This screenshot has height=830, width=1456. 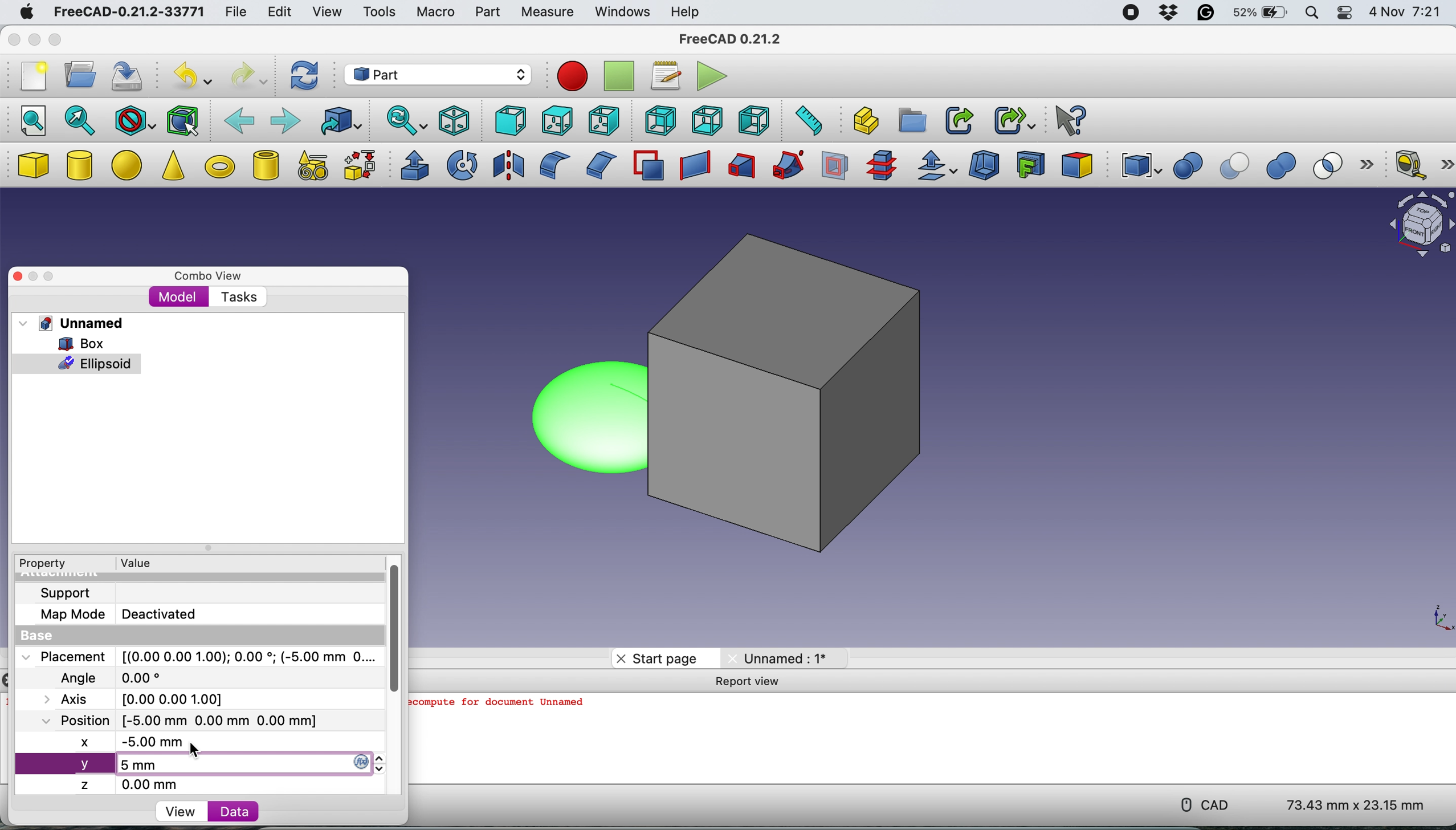 I want to click on part, so click(x=487, y=14).